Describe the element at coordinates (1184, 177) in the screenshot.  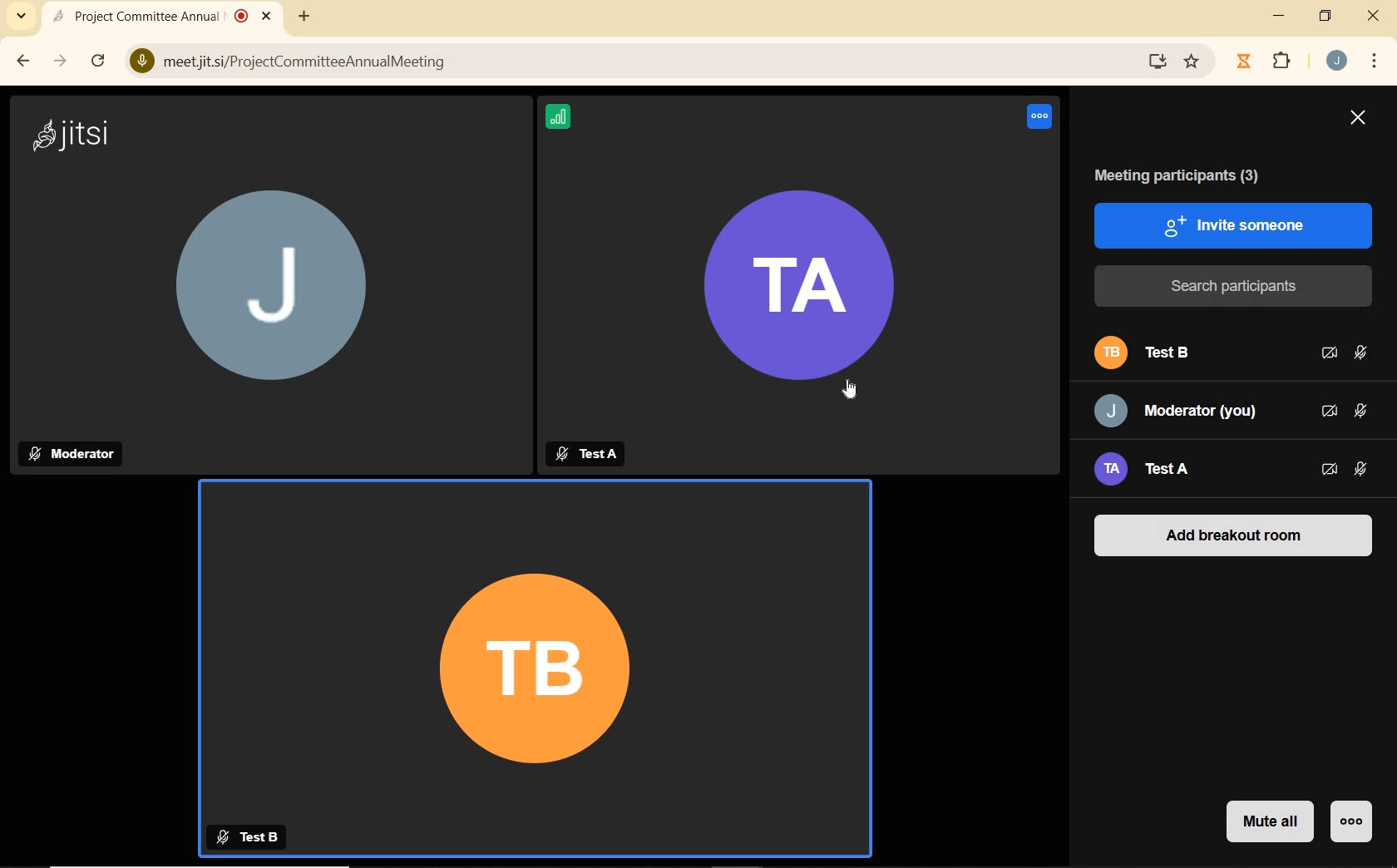
I see `MEETING PARTICIPANTS` at that location.